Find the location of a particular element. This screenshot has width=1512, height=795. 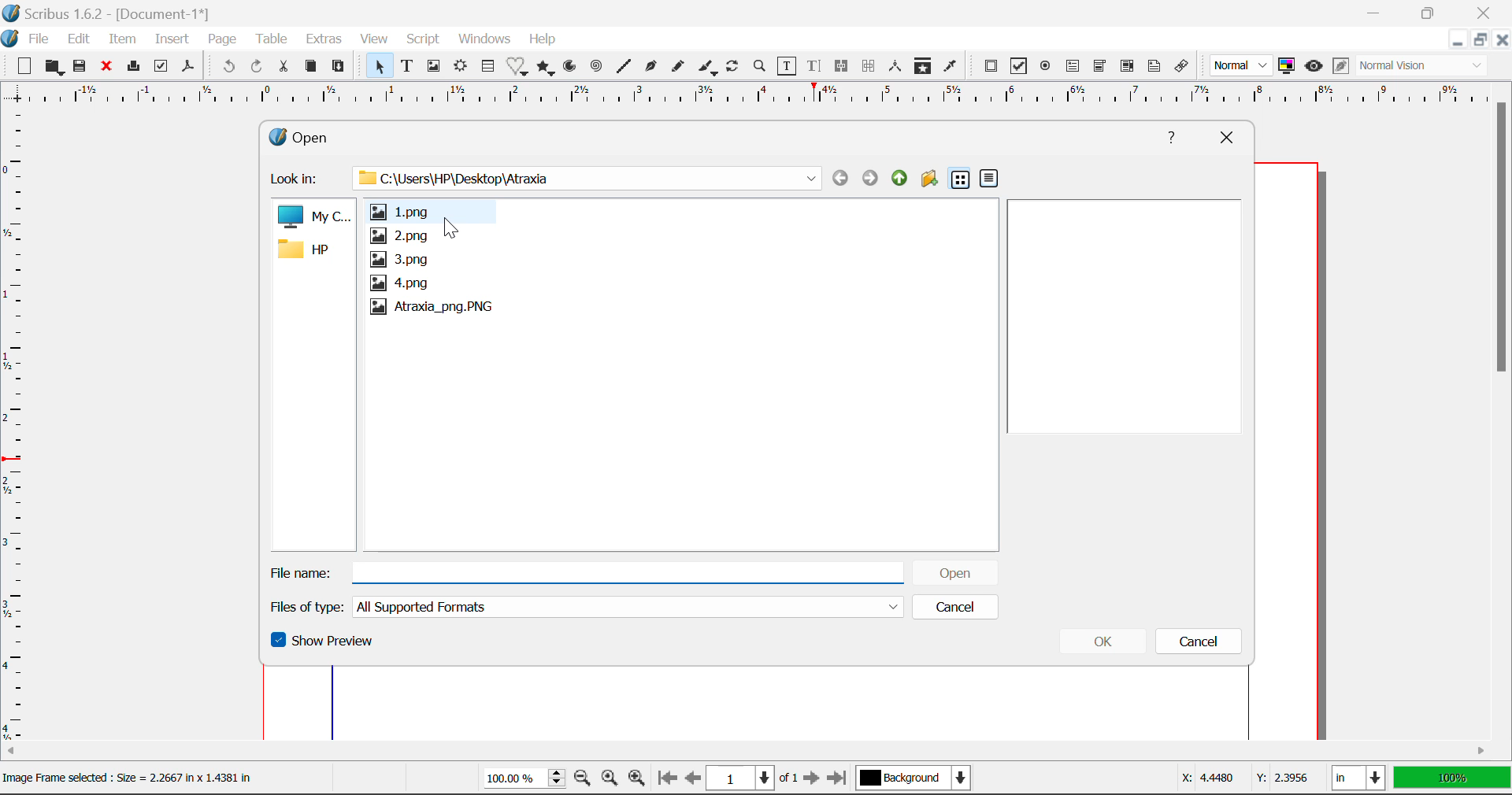

Save as Pdf is located at coordinates (187, 68).